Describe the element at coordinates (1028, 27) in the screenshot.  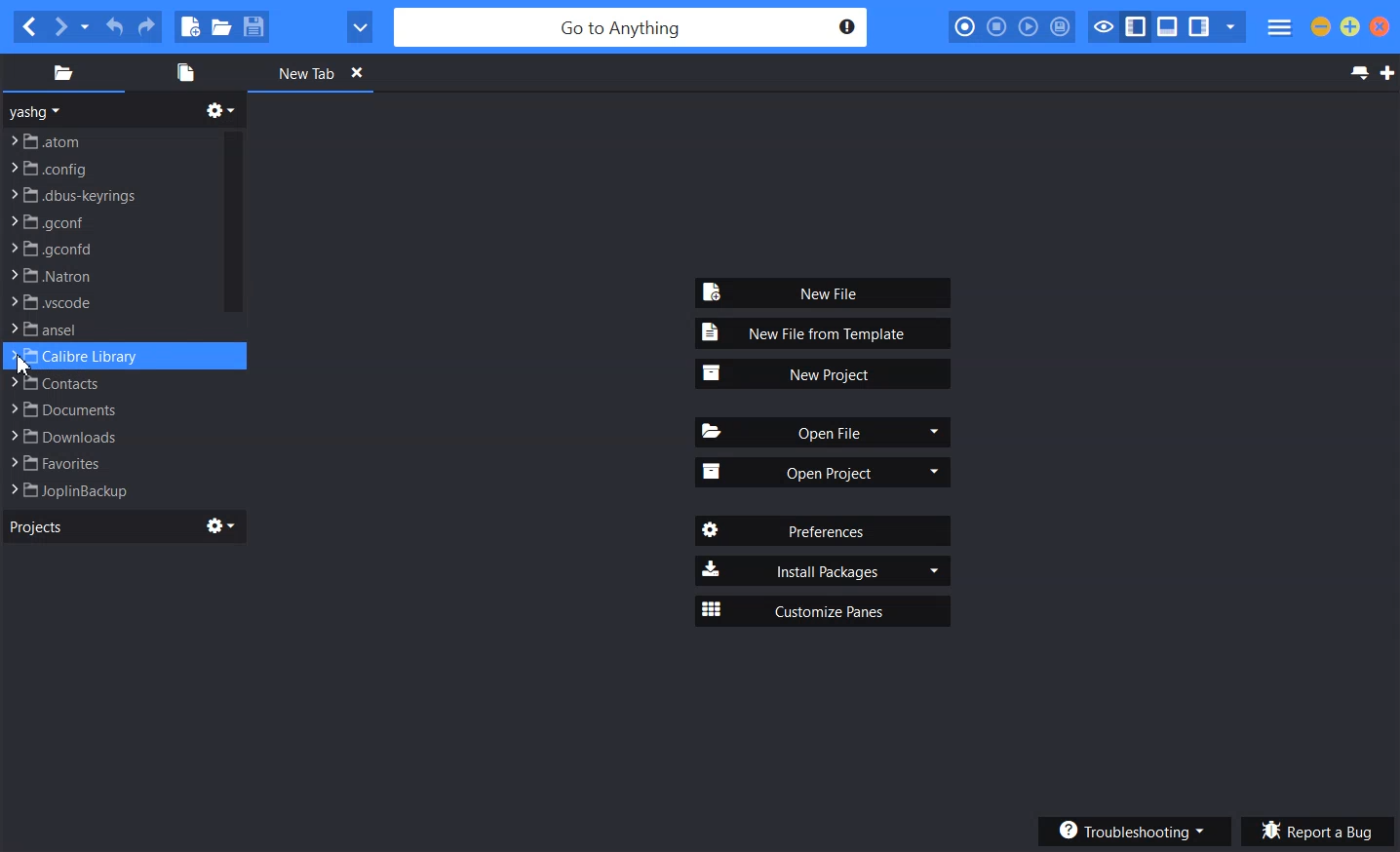
I see `Play last macro` at that location.